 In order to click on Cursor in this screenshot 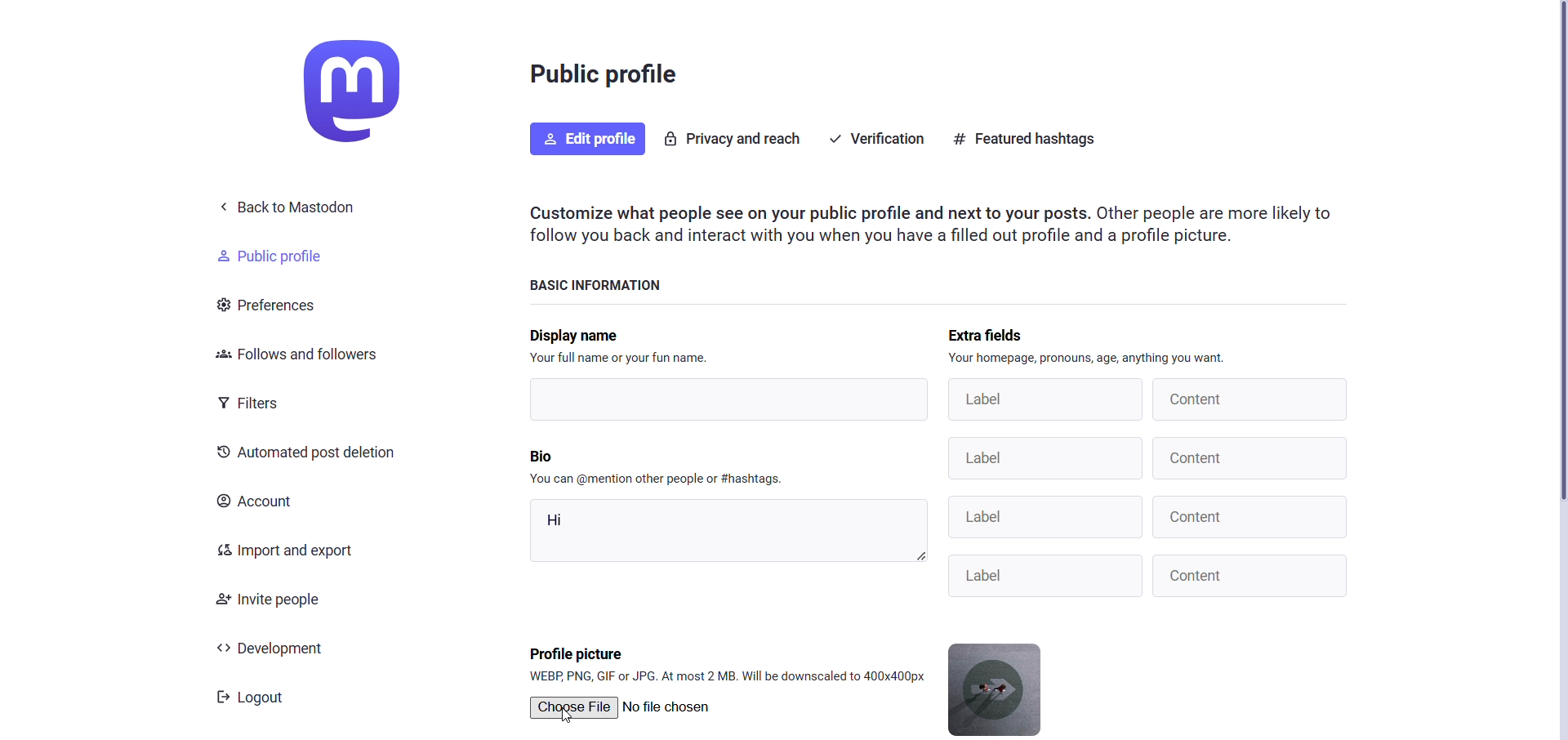, I will do `click(567, 715)`.